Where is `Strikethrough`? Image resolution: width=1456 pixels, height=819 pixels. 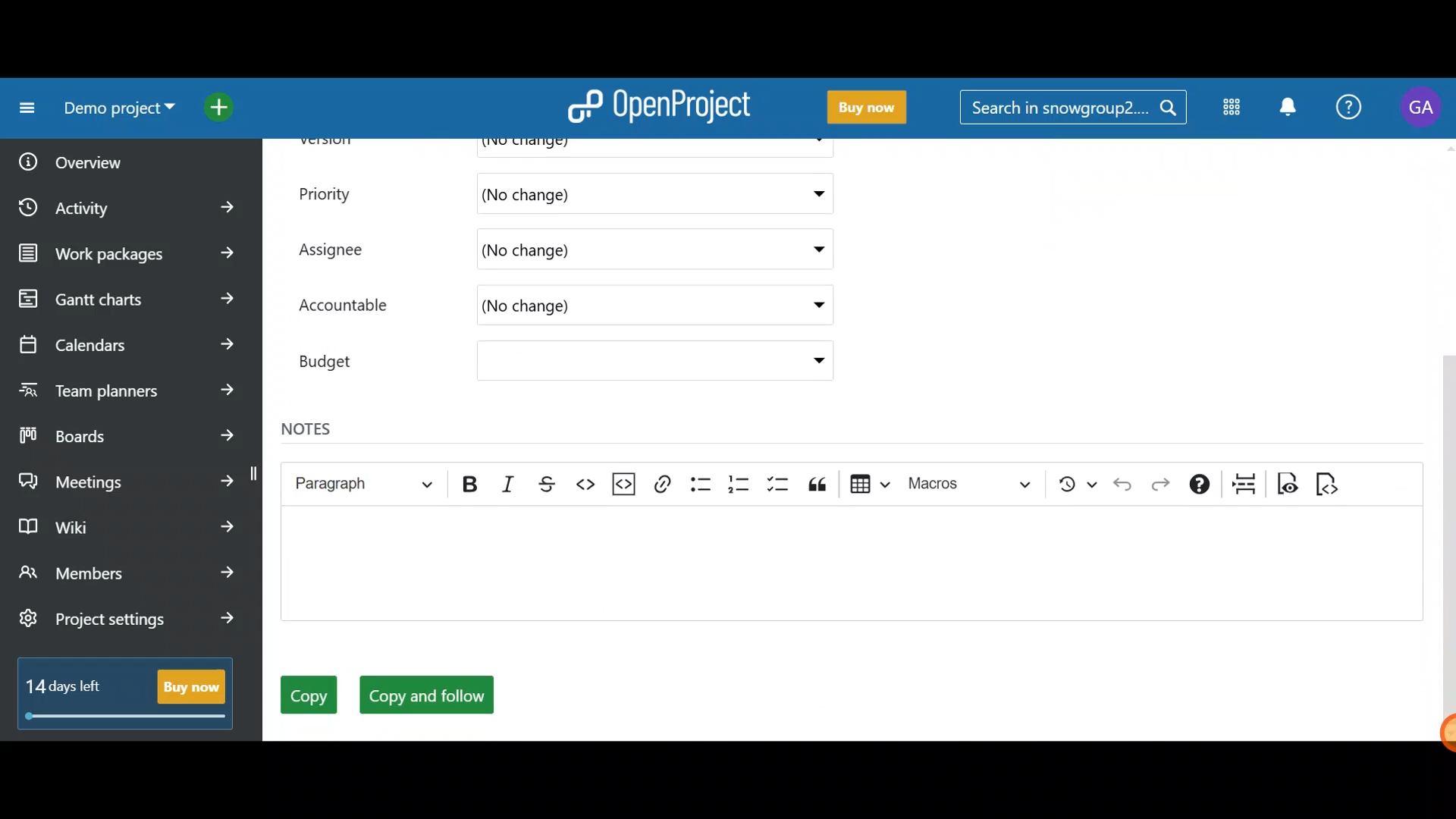
Strikethrough is located at coordinates (551, 486).